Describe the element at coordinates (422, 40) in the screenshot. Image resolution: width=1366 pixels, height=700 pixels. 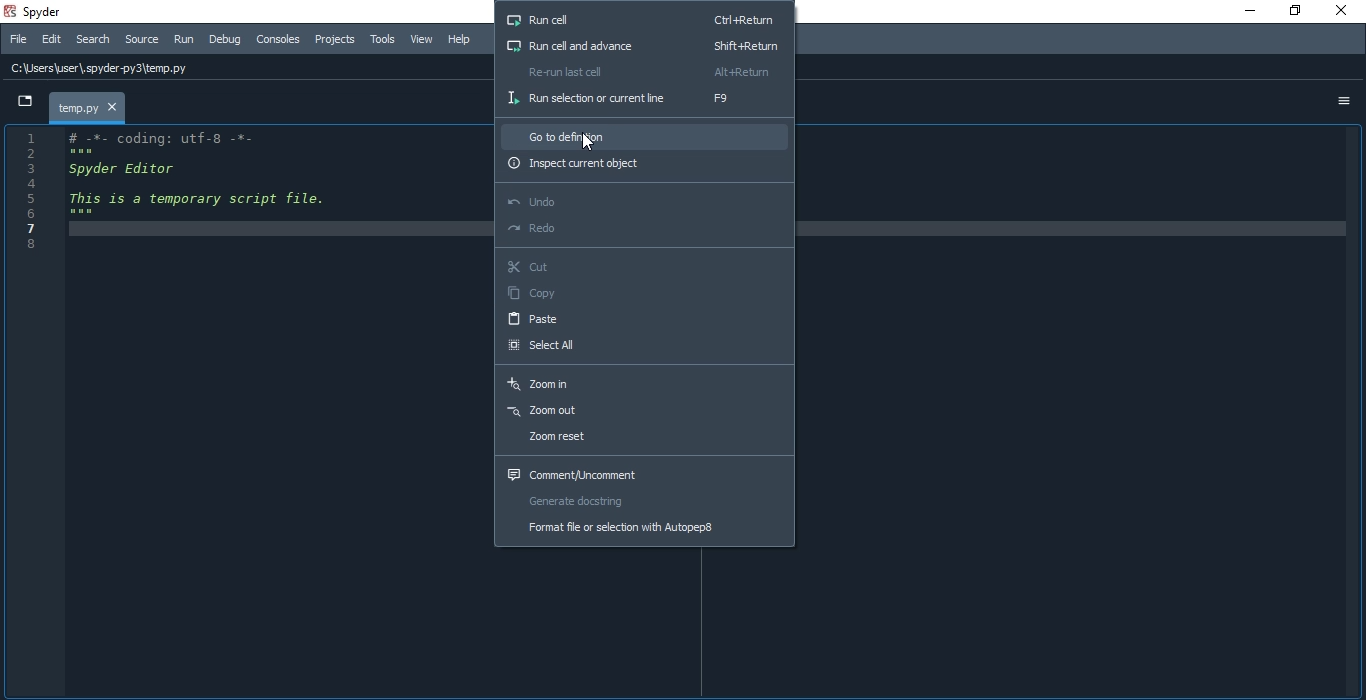
I see `View` at that location.